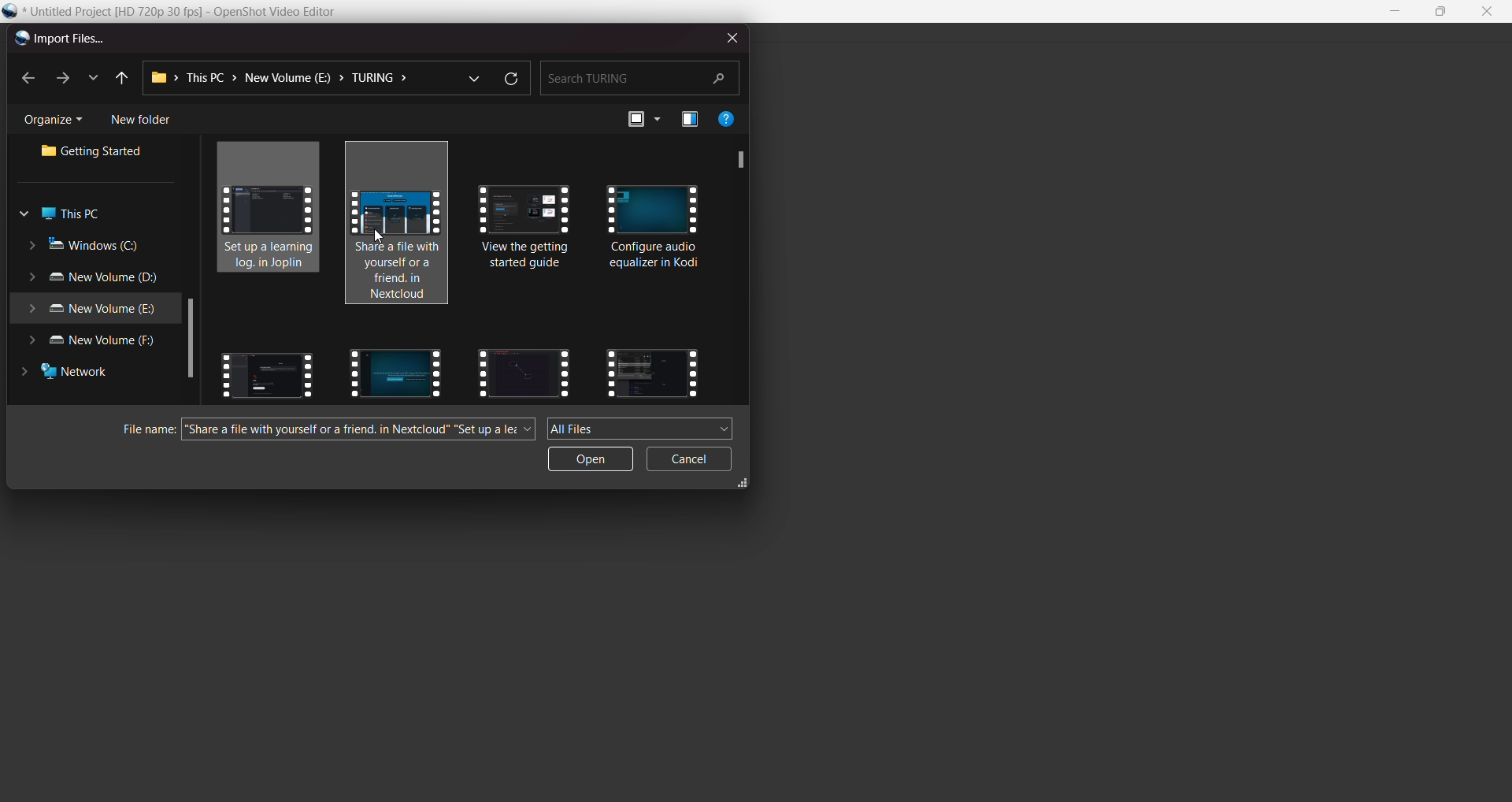  Describe the element at coordinates (120, 79) in the screenshot. I see `previous` at that location.